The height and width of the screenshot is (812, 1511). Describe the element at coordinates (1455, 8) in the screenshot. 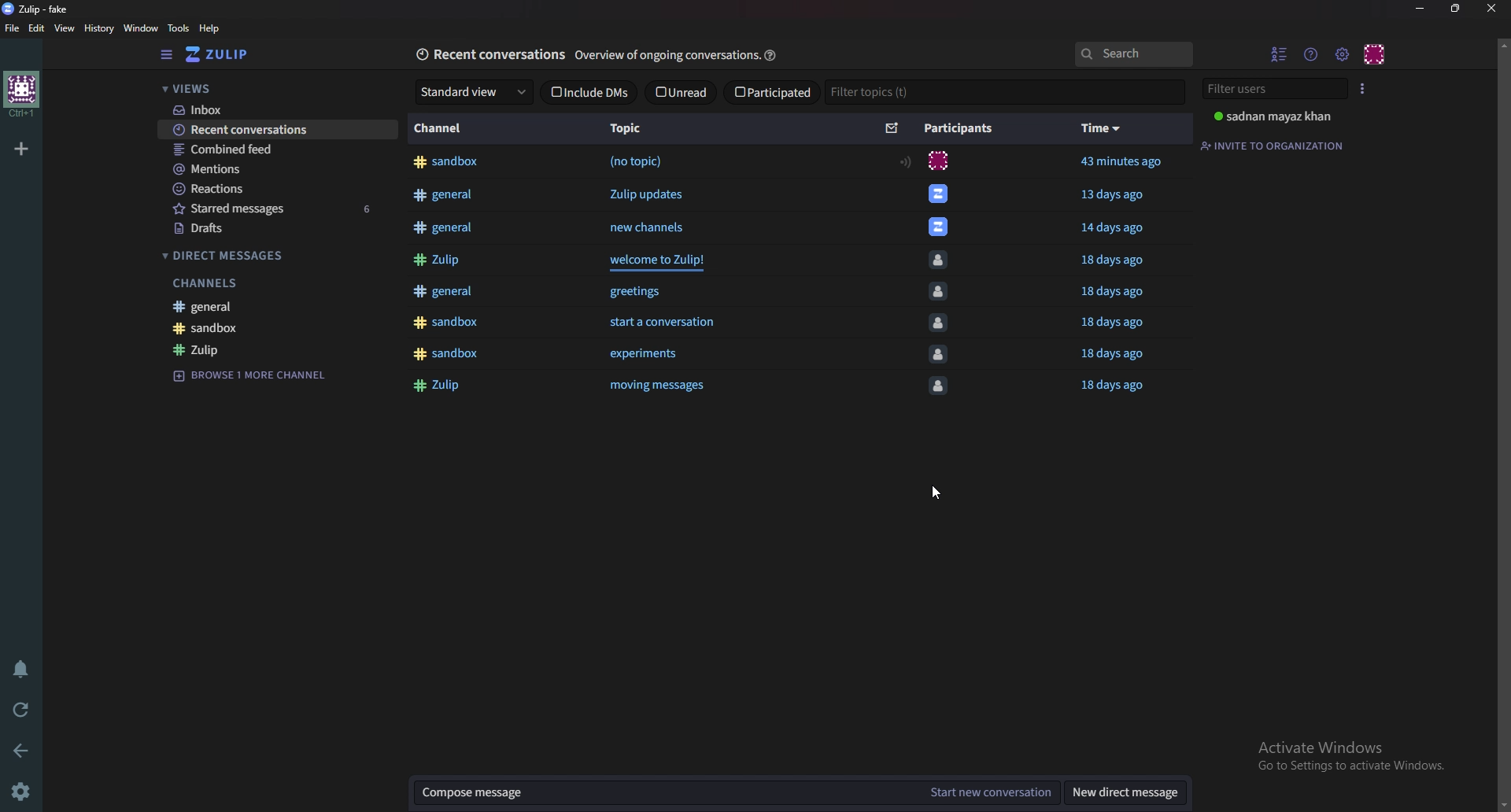

I see `resize` at that location.